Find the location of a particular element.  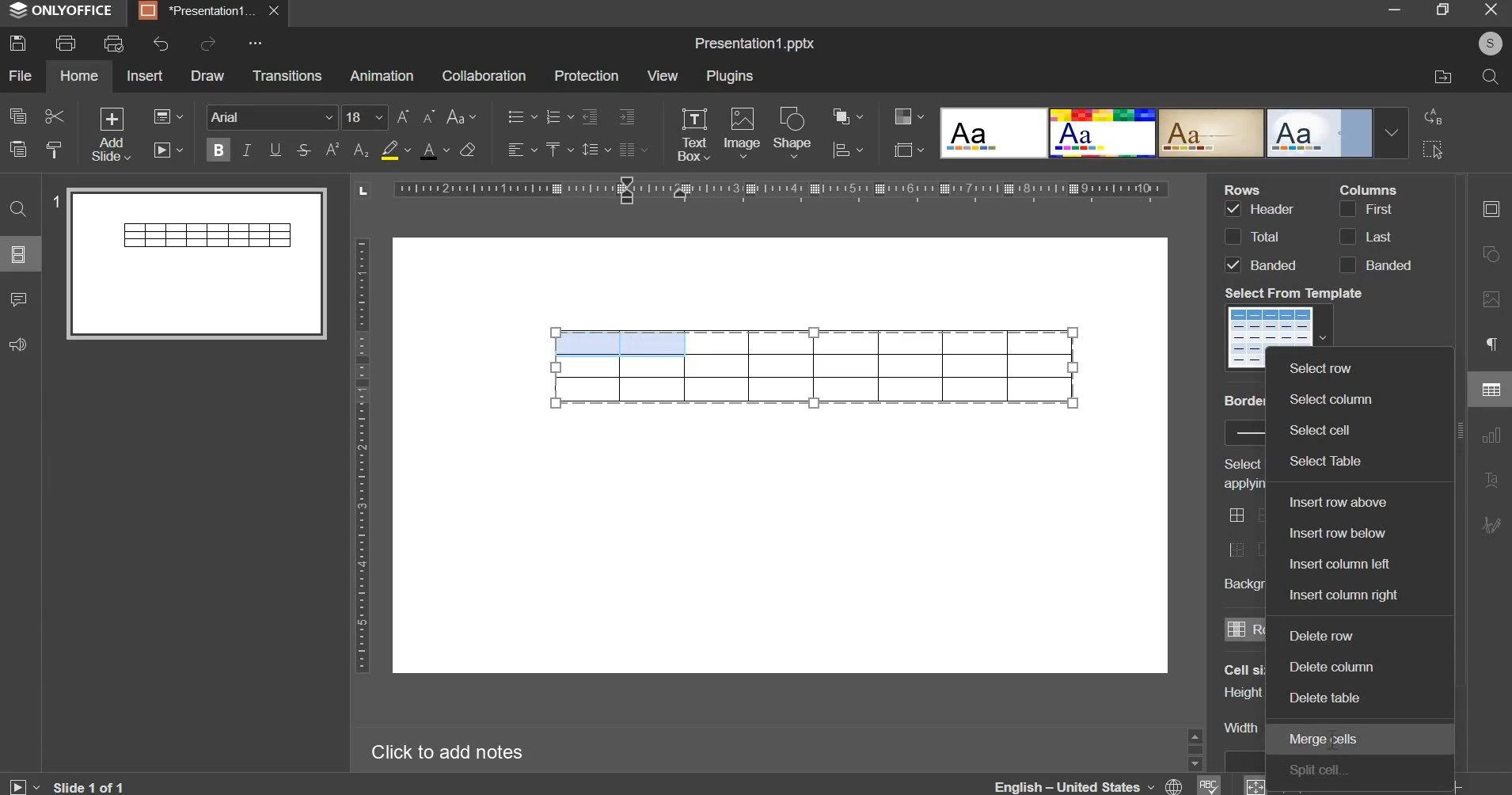

split cell is located at coordinates (1316, 770).